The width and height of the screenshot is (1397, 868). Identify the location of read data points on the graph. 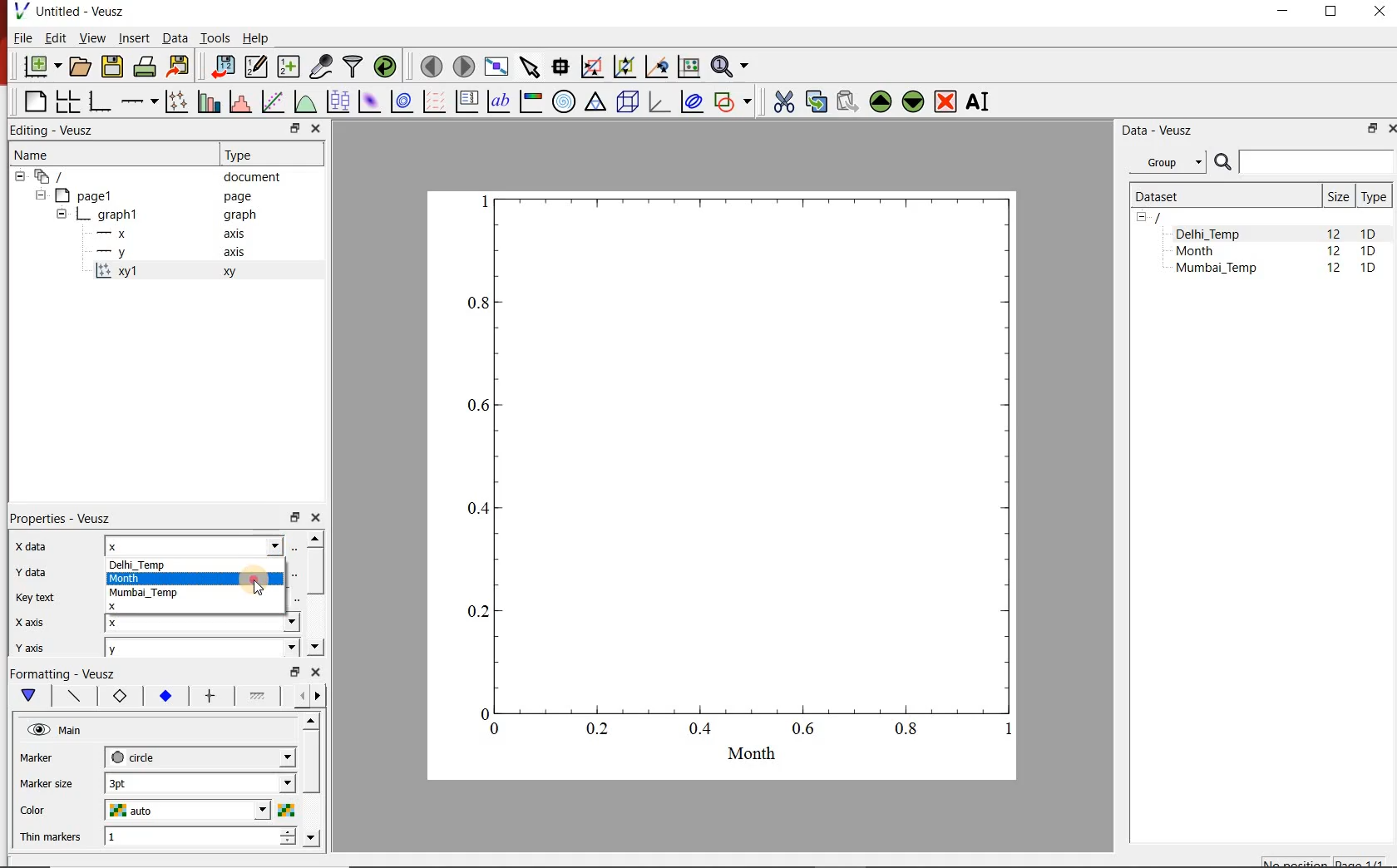
(560, 67).